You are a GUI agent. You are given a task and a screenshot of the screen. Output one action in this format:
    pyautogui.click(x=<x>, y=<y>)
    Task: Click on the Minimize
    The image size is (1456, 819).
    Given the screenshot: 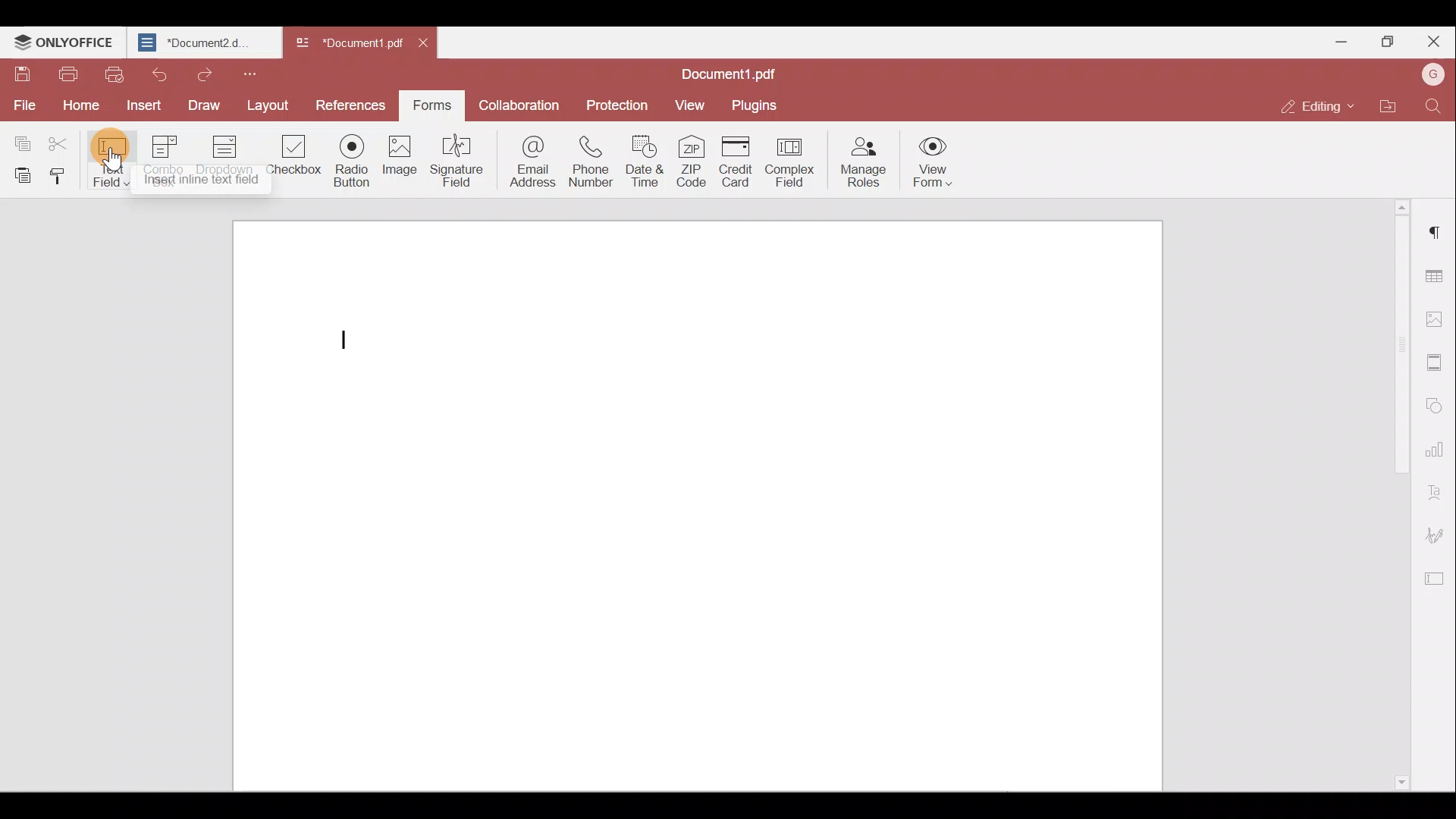 What is the action you would take?
    pyautogui.click(x=1343, y=40)
    